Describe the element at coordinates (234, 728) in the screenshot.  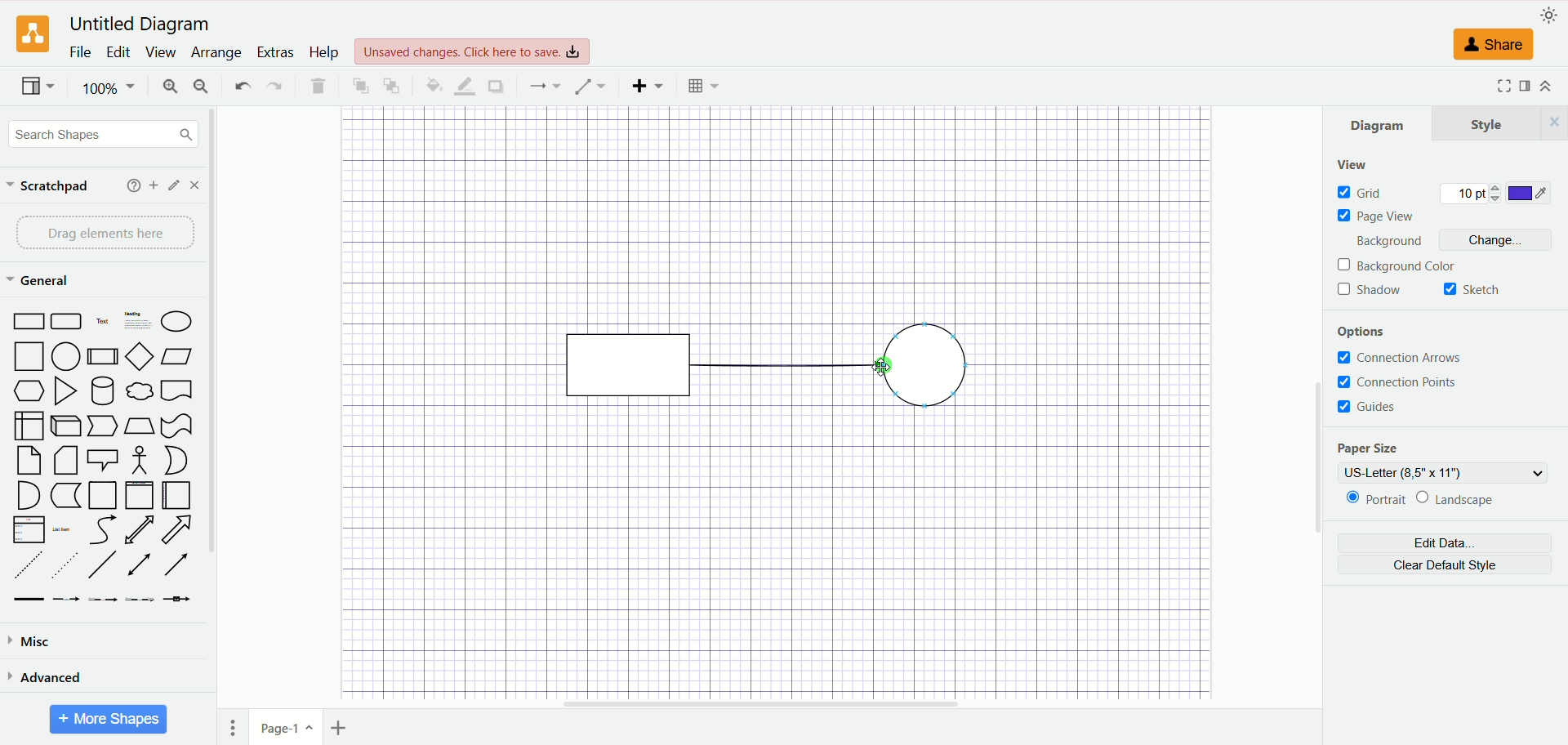
I see `pages` at that location.